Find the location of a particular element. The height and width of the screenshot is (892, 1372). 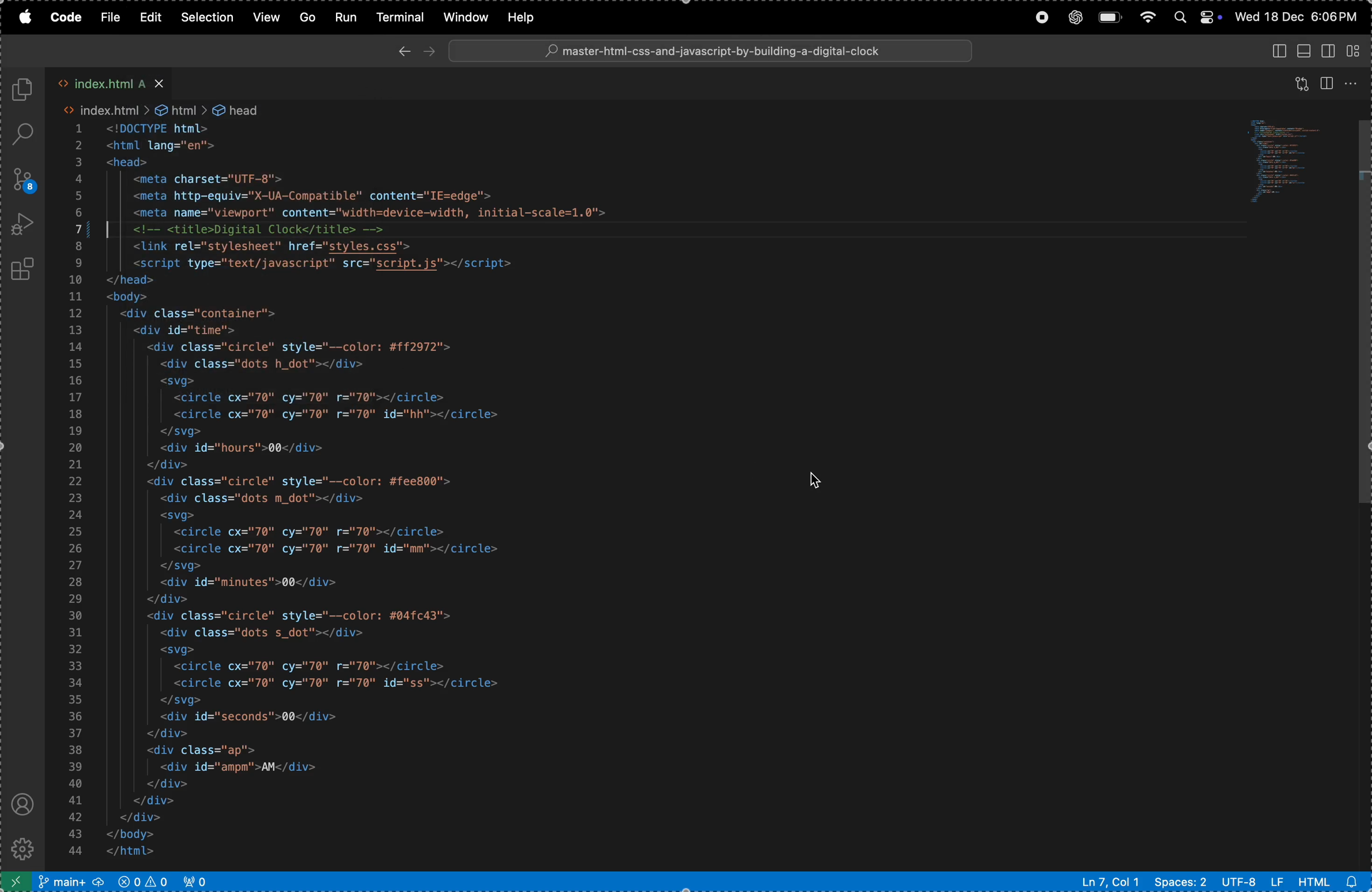

view port  is located at coordinates (200, 881).